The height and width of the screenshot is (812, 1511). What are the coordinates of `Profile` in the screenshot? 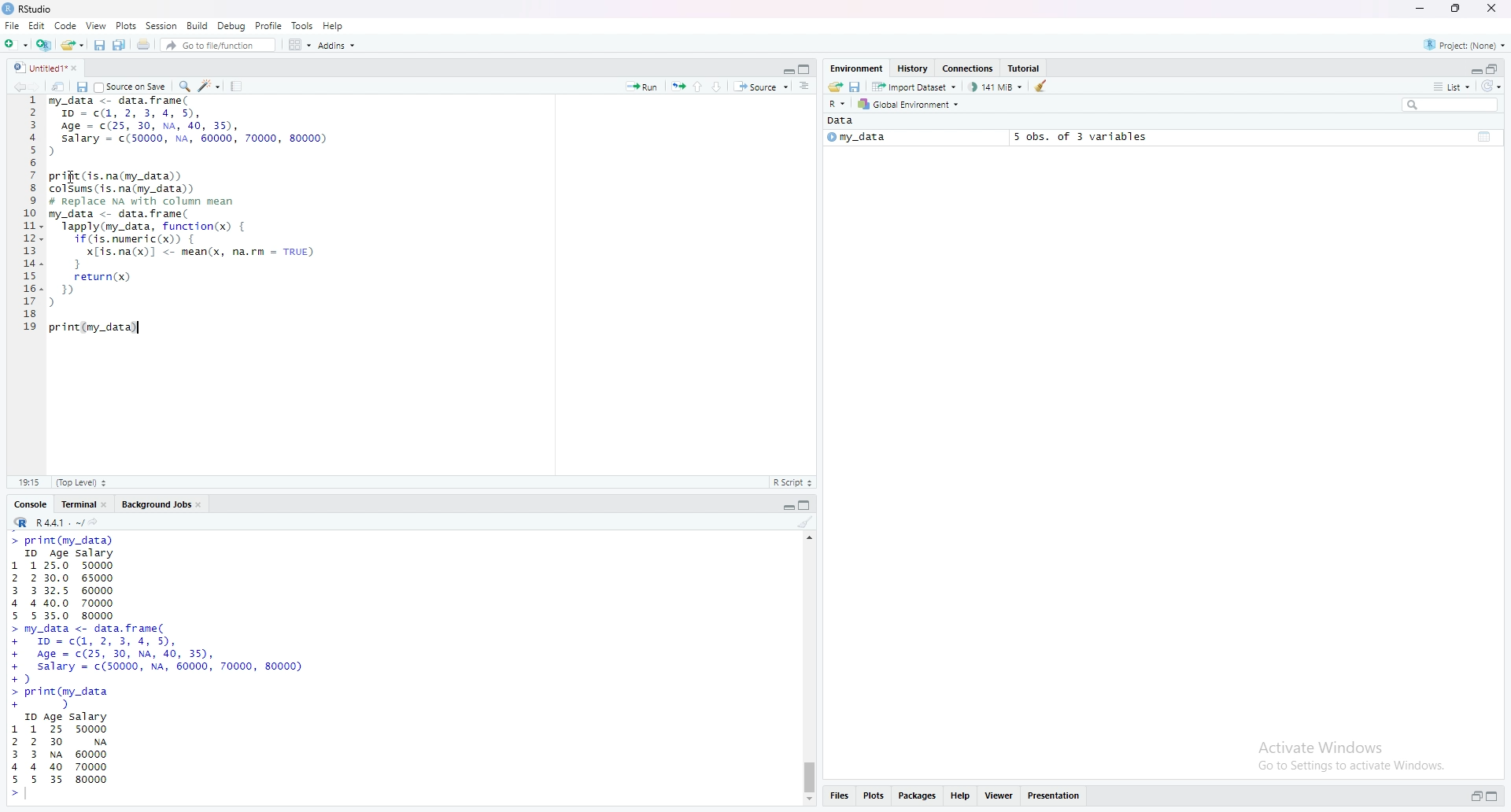 It's located at (270, 25).